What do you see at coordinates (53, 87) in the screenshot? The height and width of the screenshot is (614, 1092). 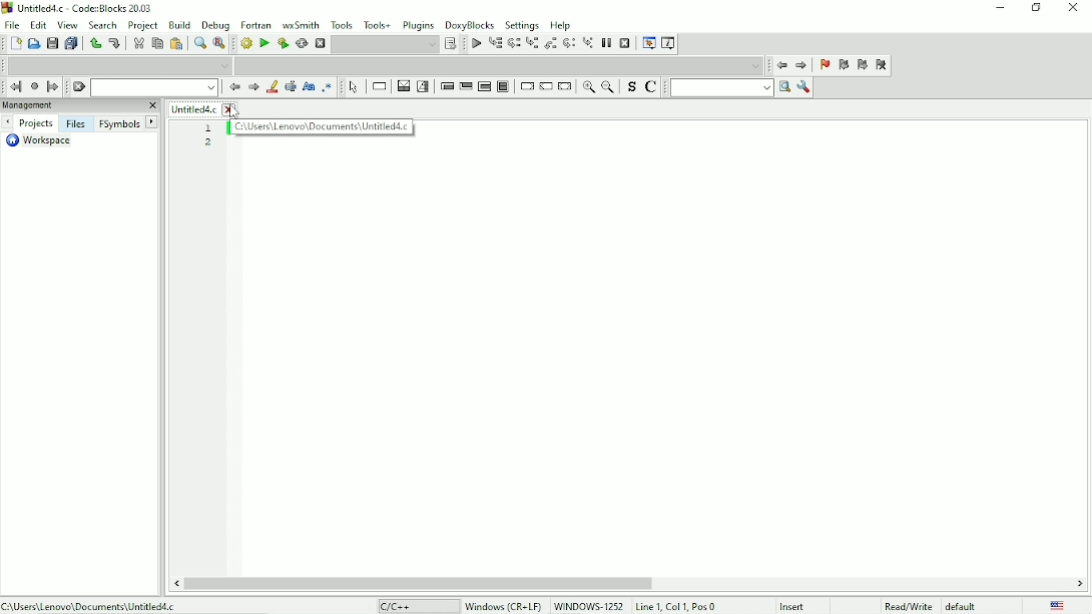 I see `Jump forward` at bounding box center [53, 87].